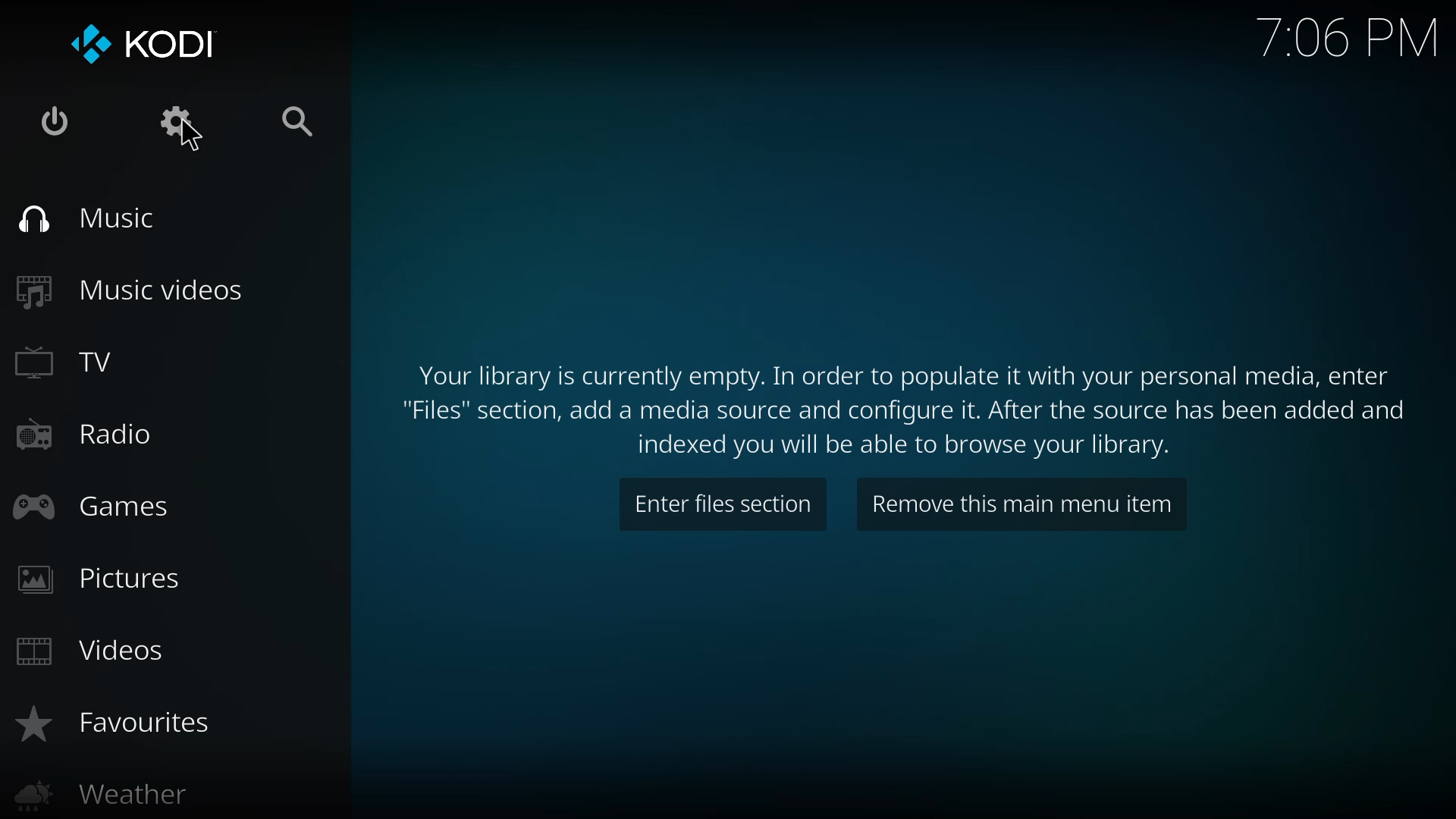 The image size is (1456, 819). What do you see at coordinates (907, 409) in the screenshot?
I see `learn more` at bounding box center [907, 409].